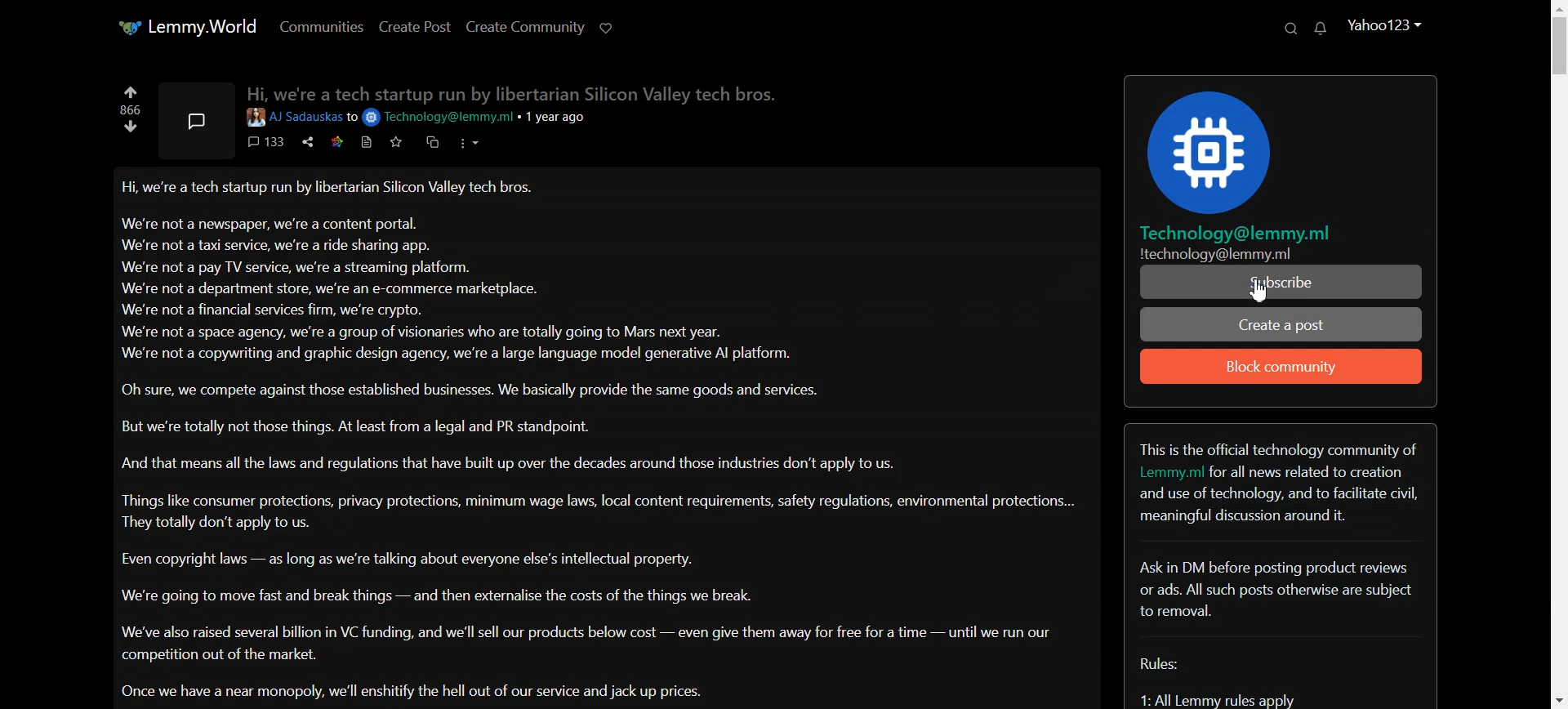 Image resolution: width=1568 pixels, height=709 pixels. I want to click on Save, so click(394, 142).